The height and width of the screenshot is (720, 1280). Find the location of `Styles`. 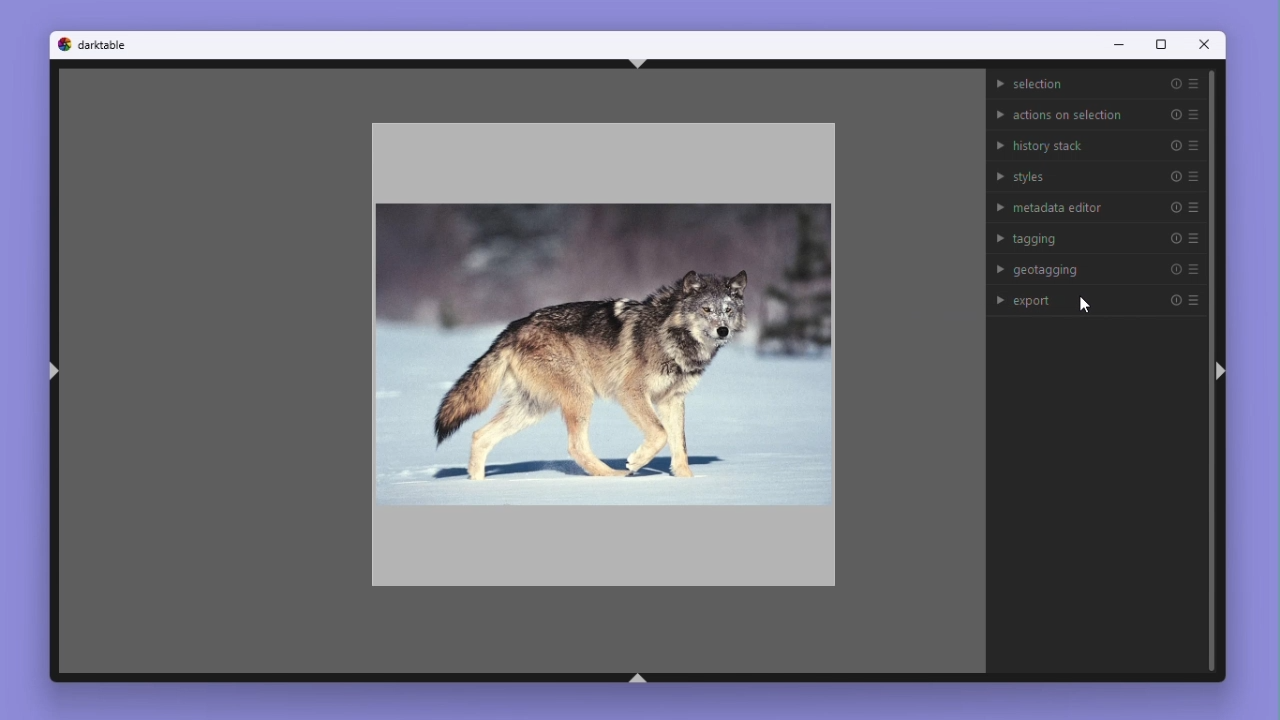

Styles is located at coordinates (1096, 176).